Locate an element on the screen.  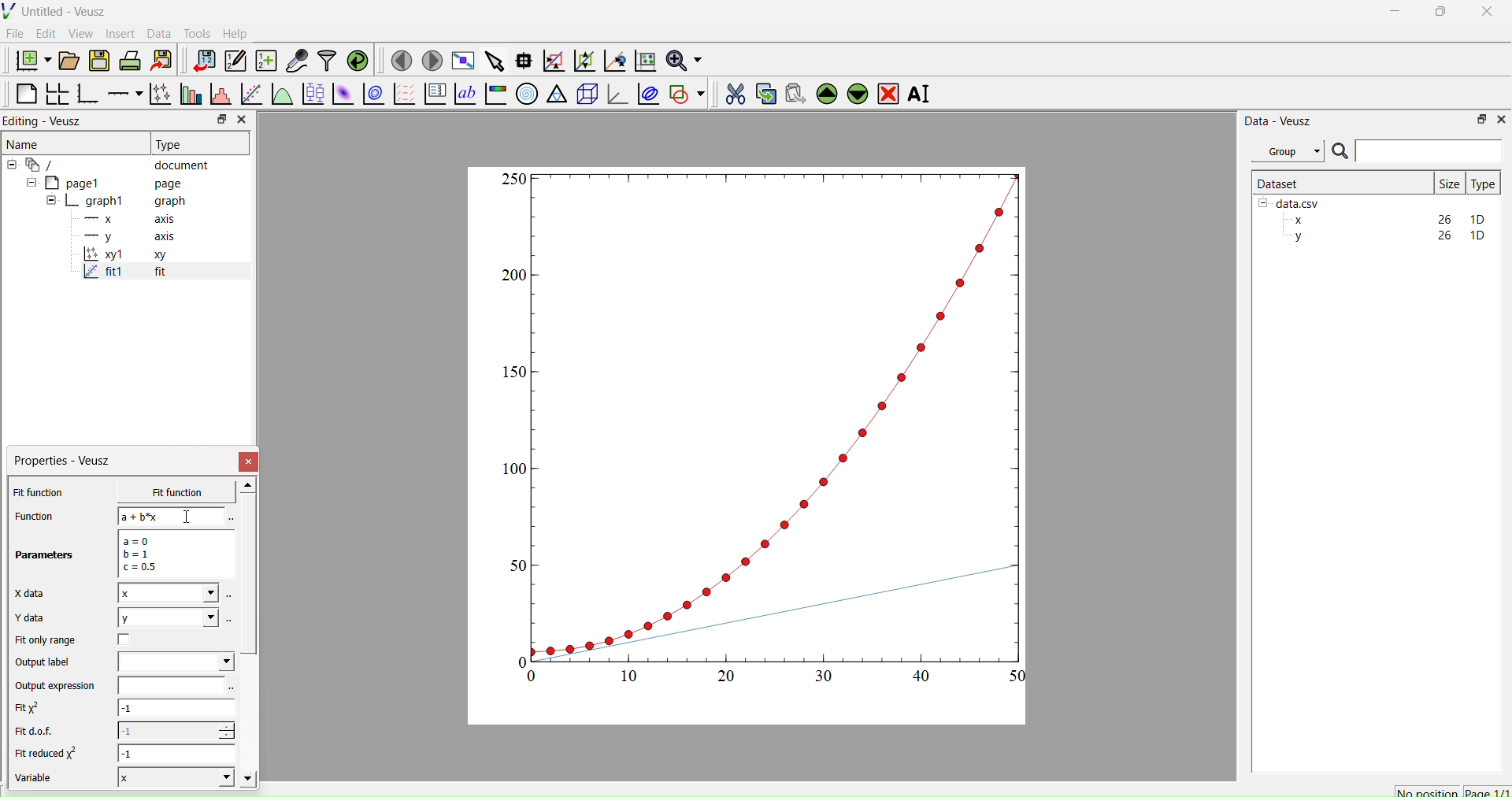
x axis is located at coordinates (128, 217).